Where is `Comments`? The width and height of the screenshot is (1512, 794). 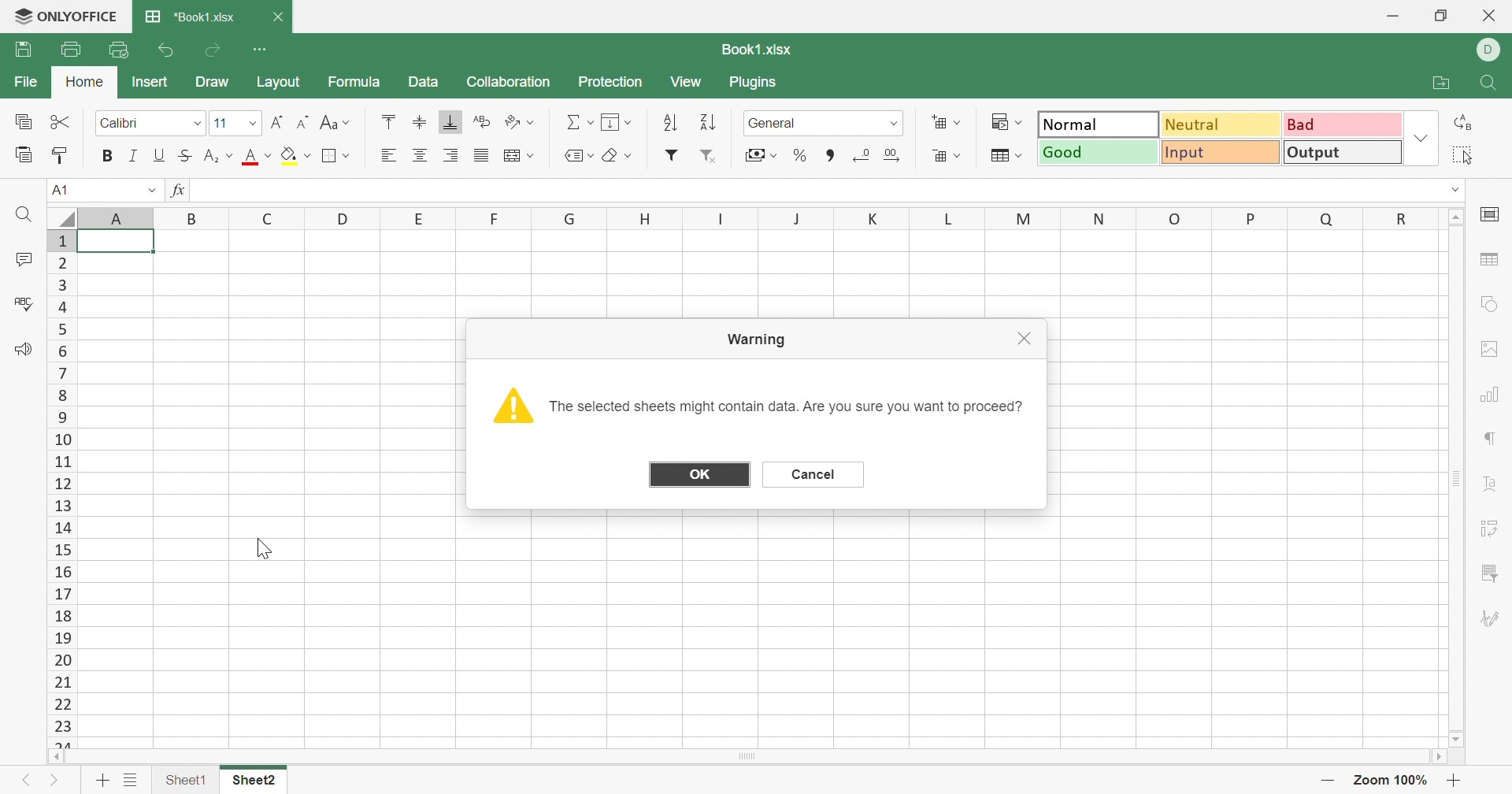 Comments is located at coordinates (24, 258).